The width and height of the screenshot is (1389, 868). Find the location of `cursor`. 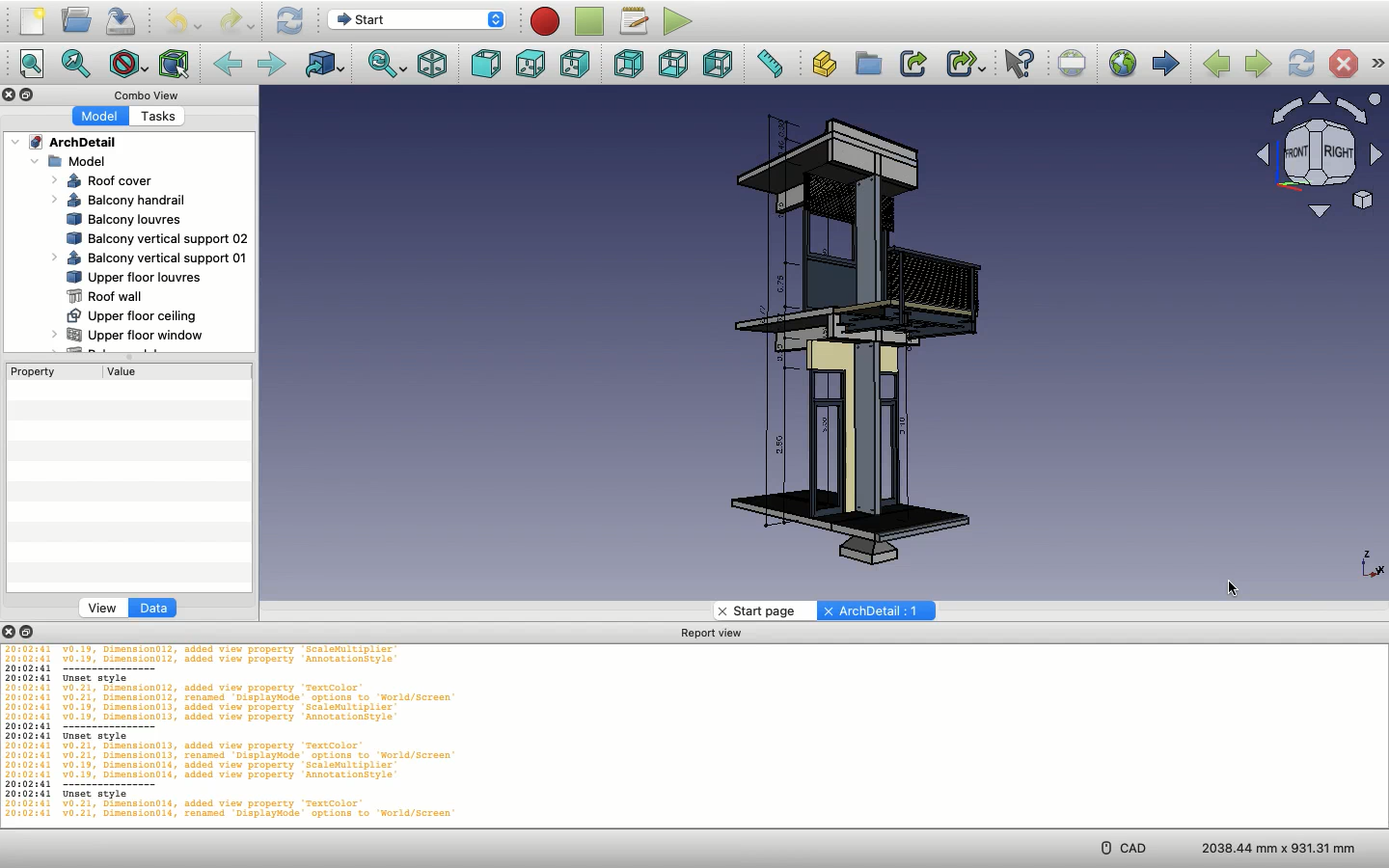

cursor is located at coordinates (1235, 587).